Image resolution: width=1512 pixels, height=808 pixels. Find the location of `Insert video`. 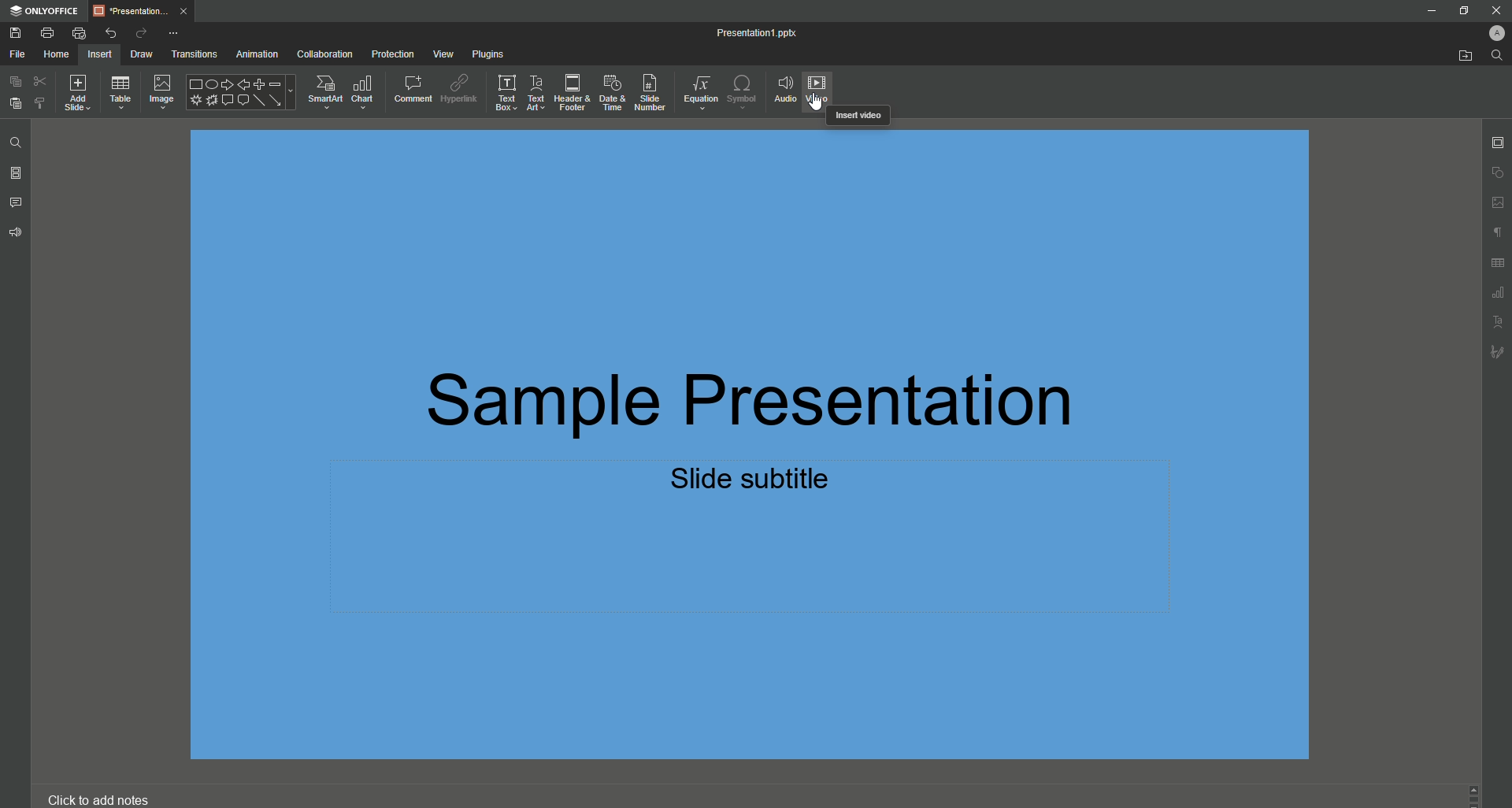

Insert video is located at coordinates (856, 116).